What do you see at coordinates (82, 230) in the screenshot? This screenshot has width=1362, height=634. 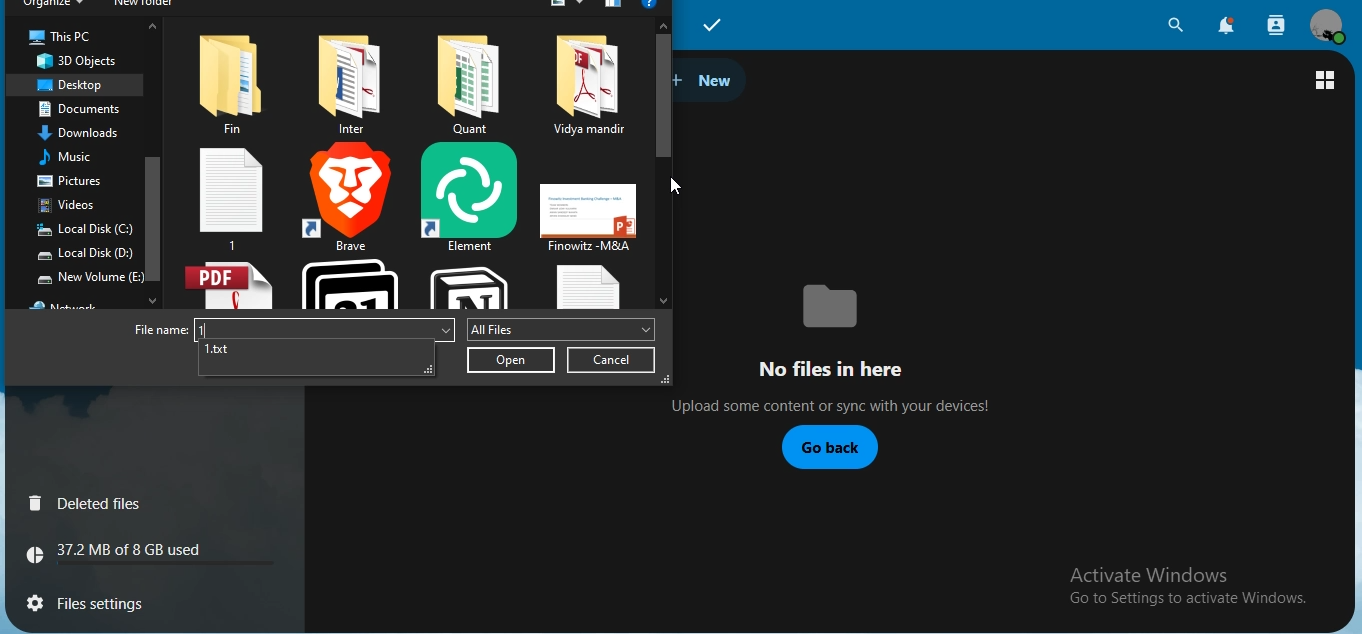 I see `local disk C` at bounding box center [82, 230].